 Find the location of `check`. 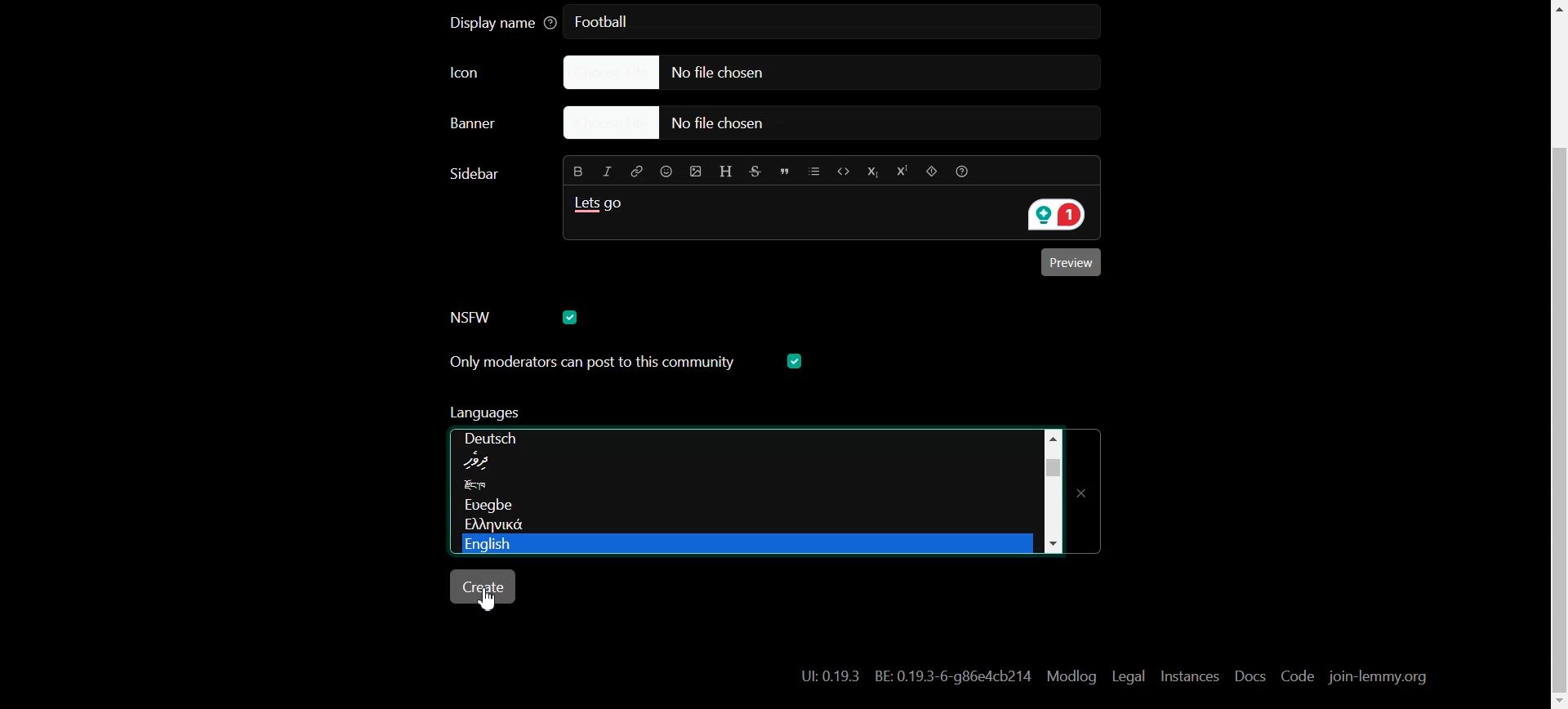

check is located at coordinates (797, 361).